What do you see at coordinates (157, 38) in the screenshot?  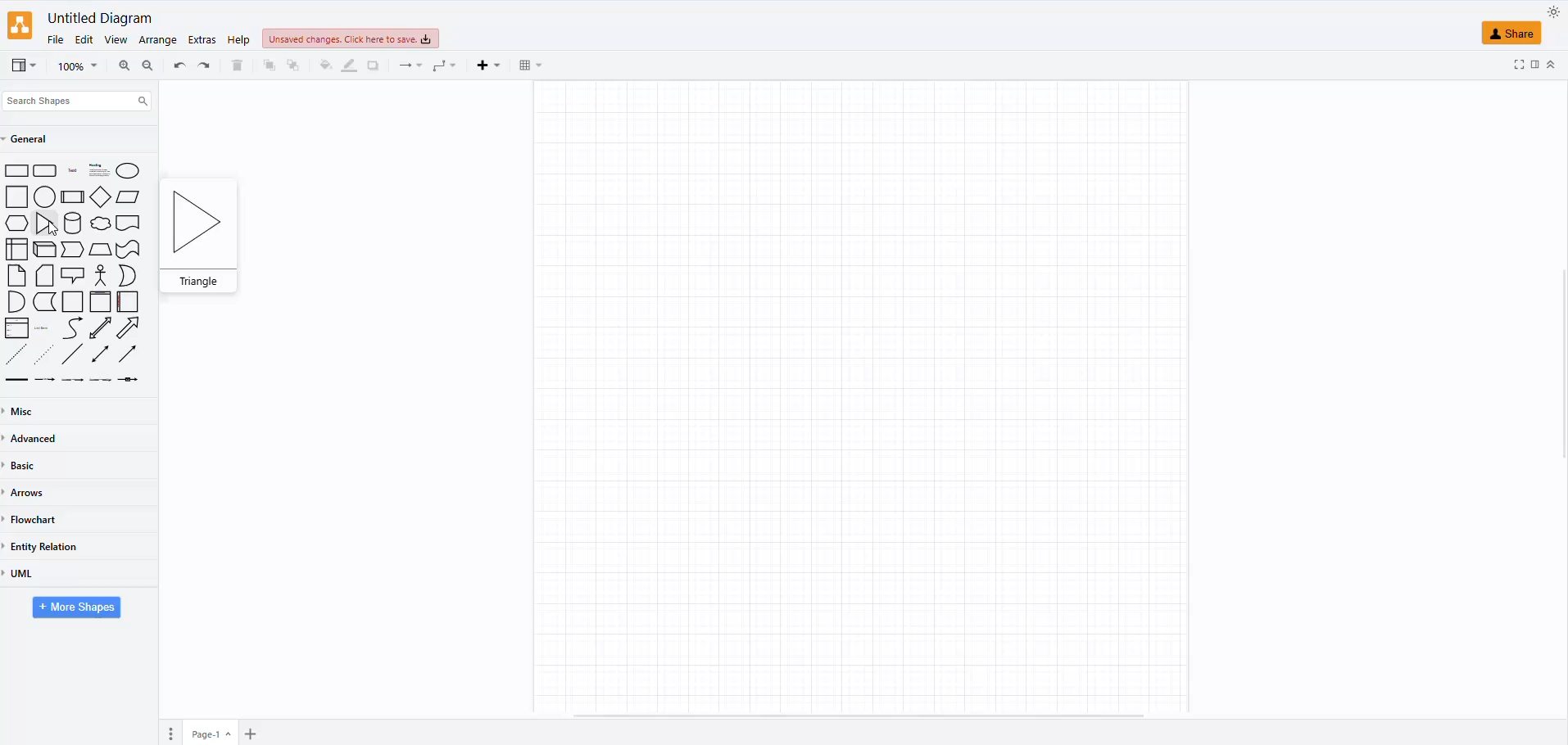 I see `arrange` at bounding box center [157, 38].